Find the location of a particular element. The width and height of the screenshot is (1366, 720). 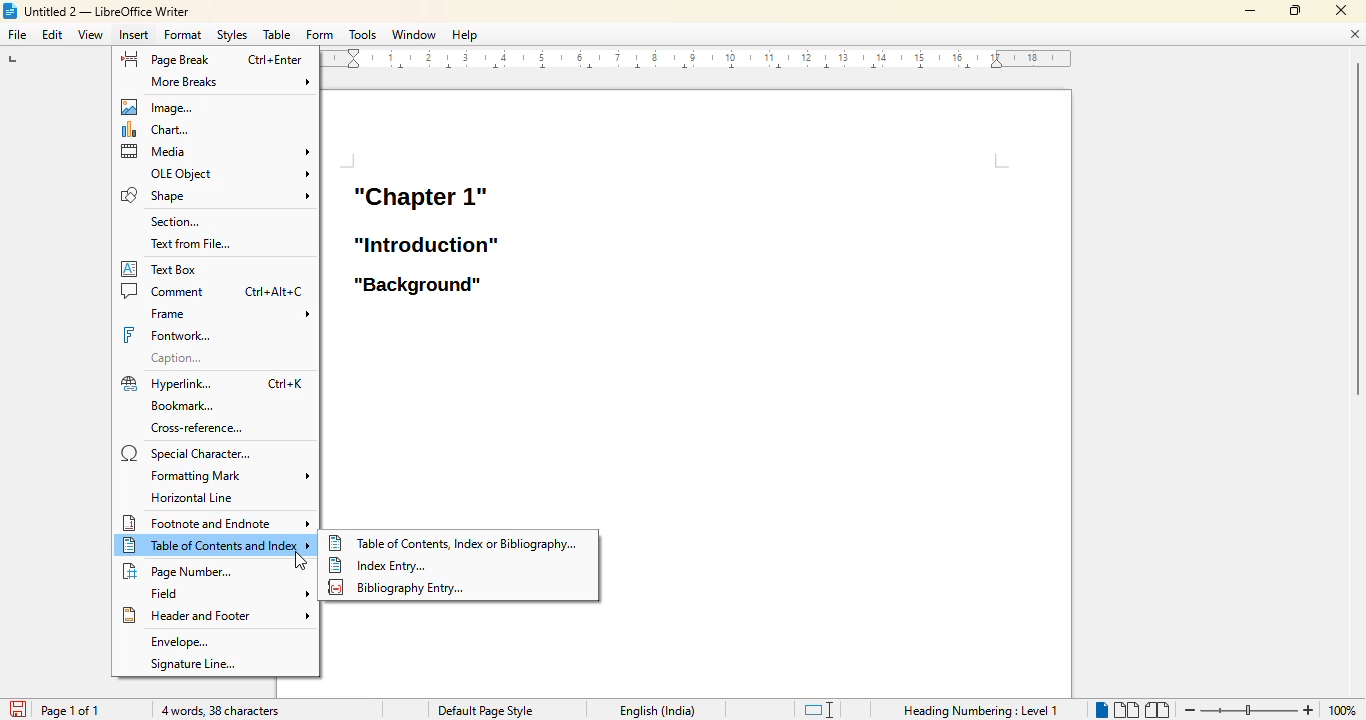

special character is located at coordinates (189, 454).